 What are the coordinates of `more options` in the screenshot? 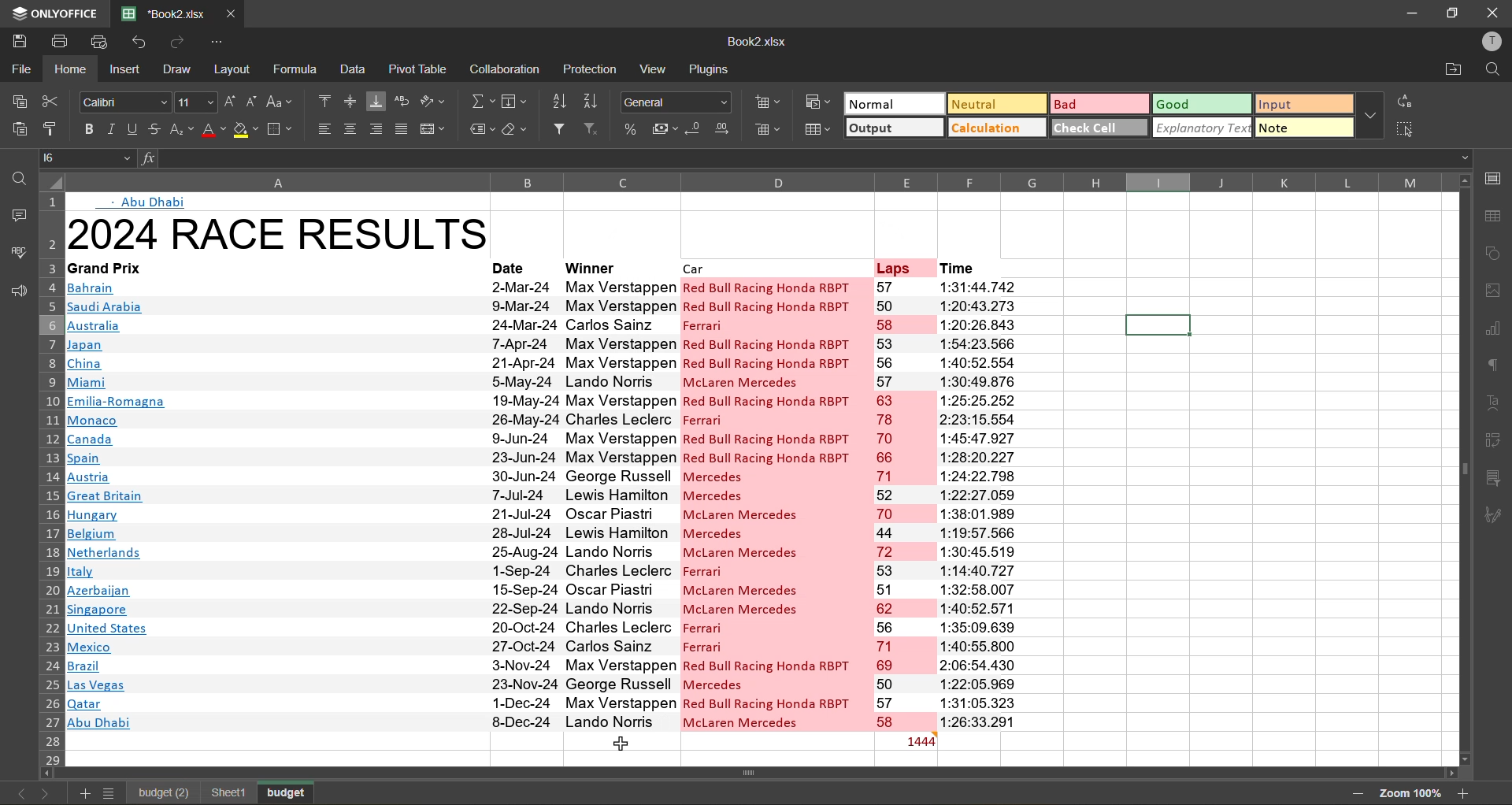 It's located at (1369, 116).